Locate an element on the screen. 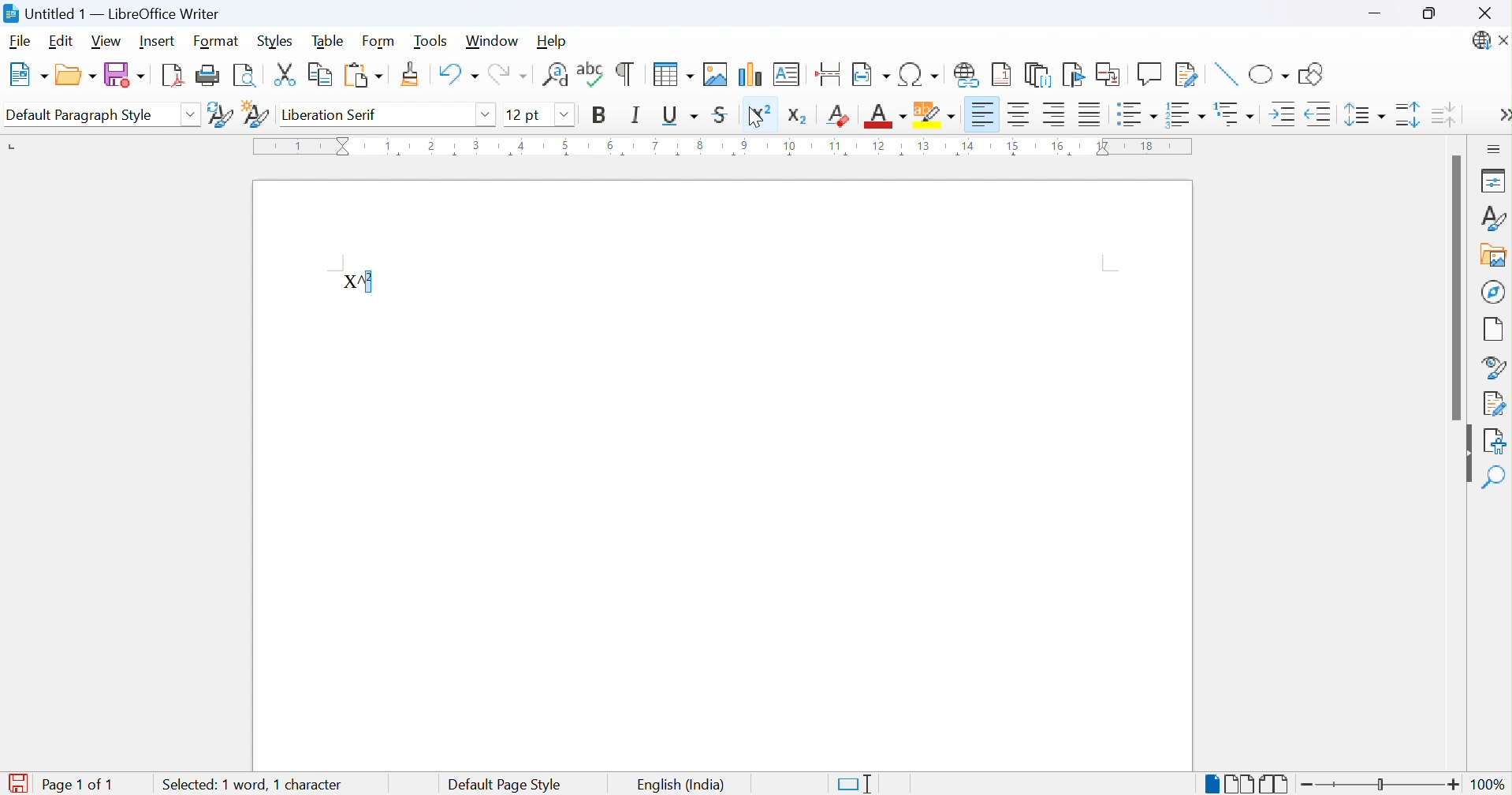 This screenshot has width=1512, height=795. Styles is located at coordinates (275, 39).